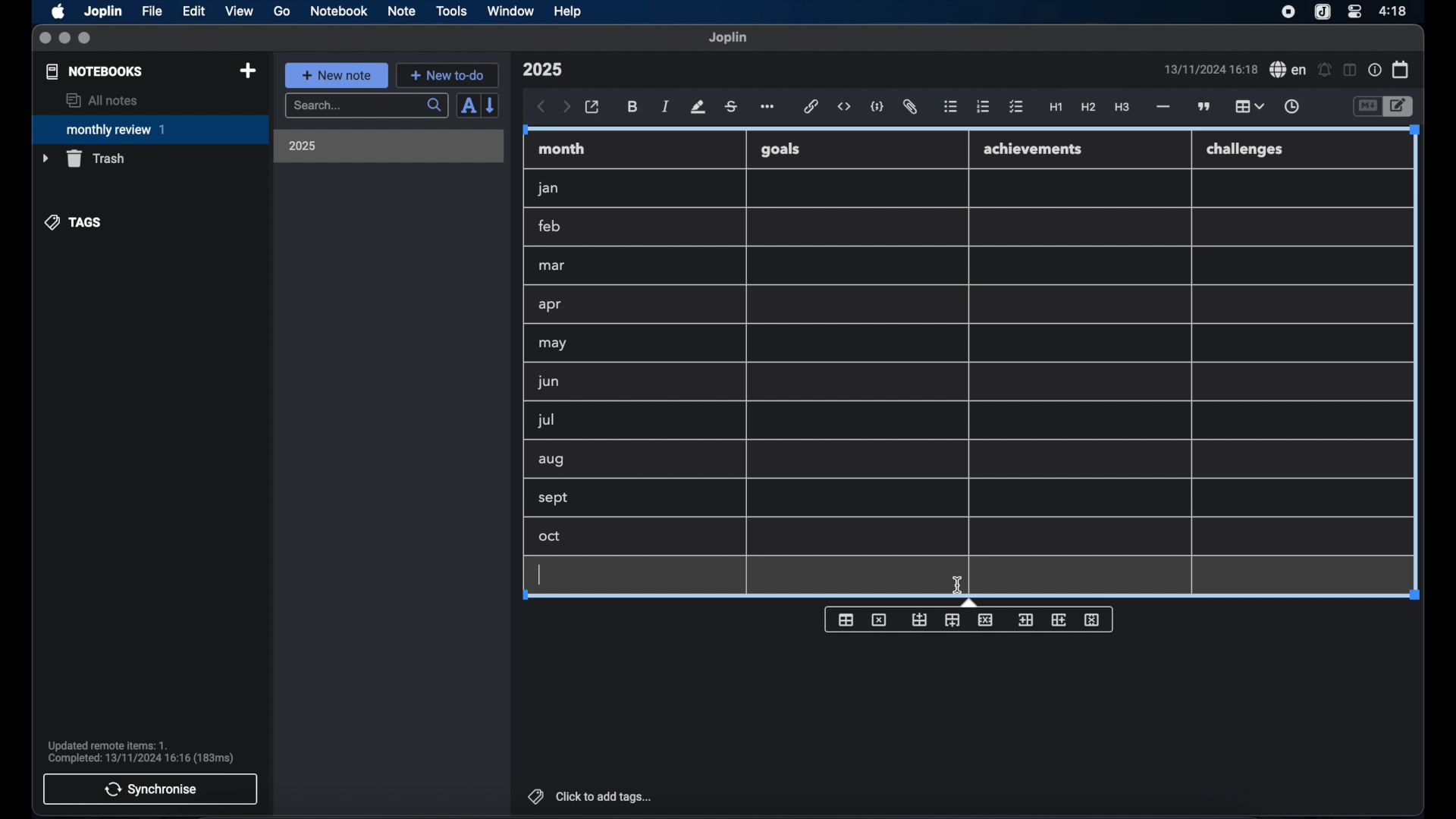  I want to click on text cursor, so click(541, 574).